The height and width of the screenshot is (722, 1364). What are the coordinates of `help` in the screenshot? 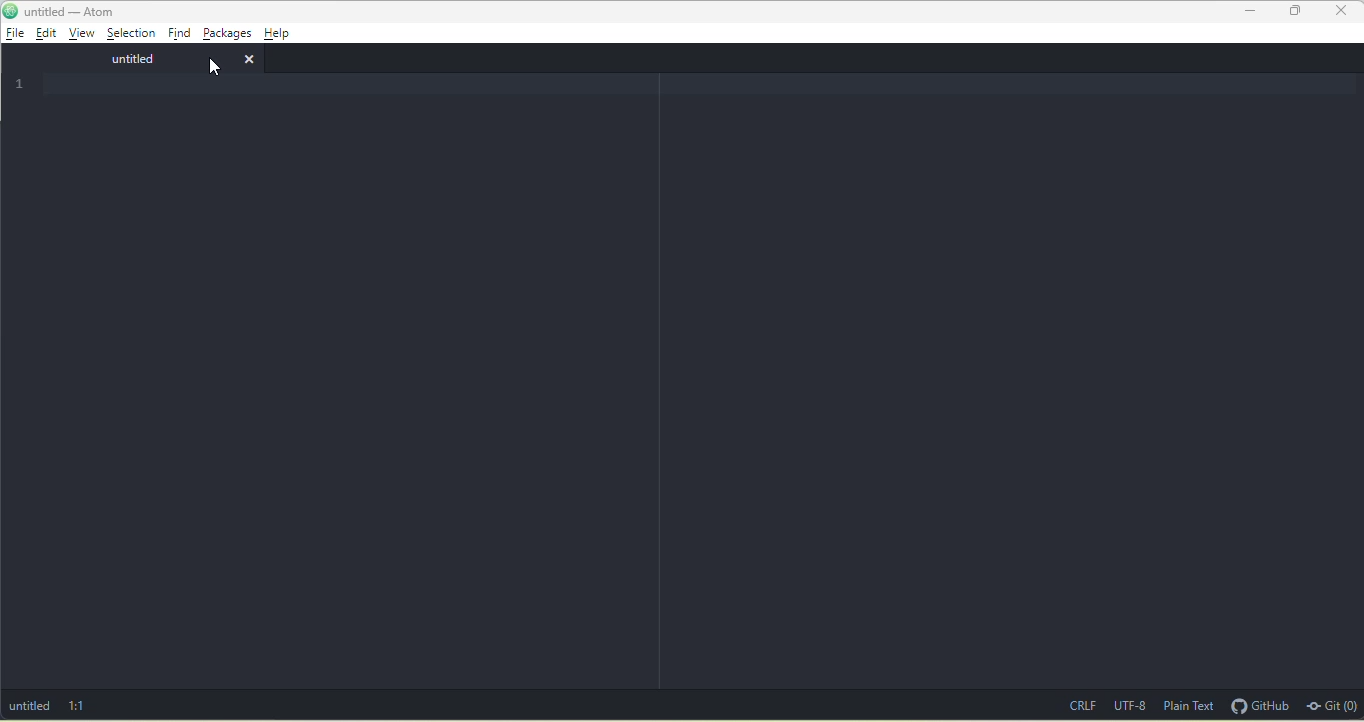 It's located at (280, 33).